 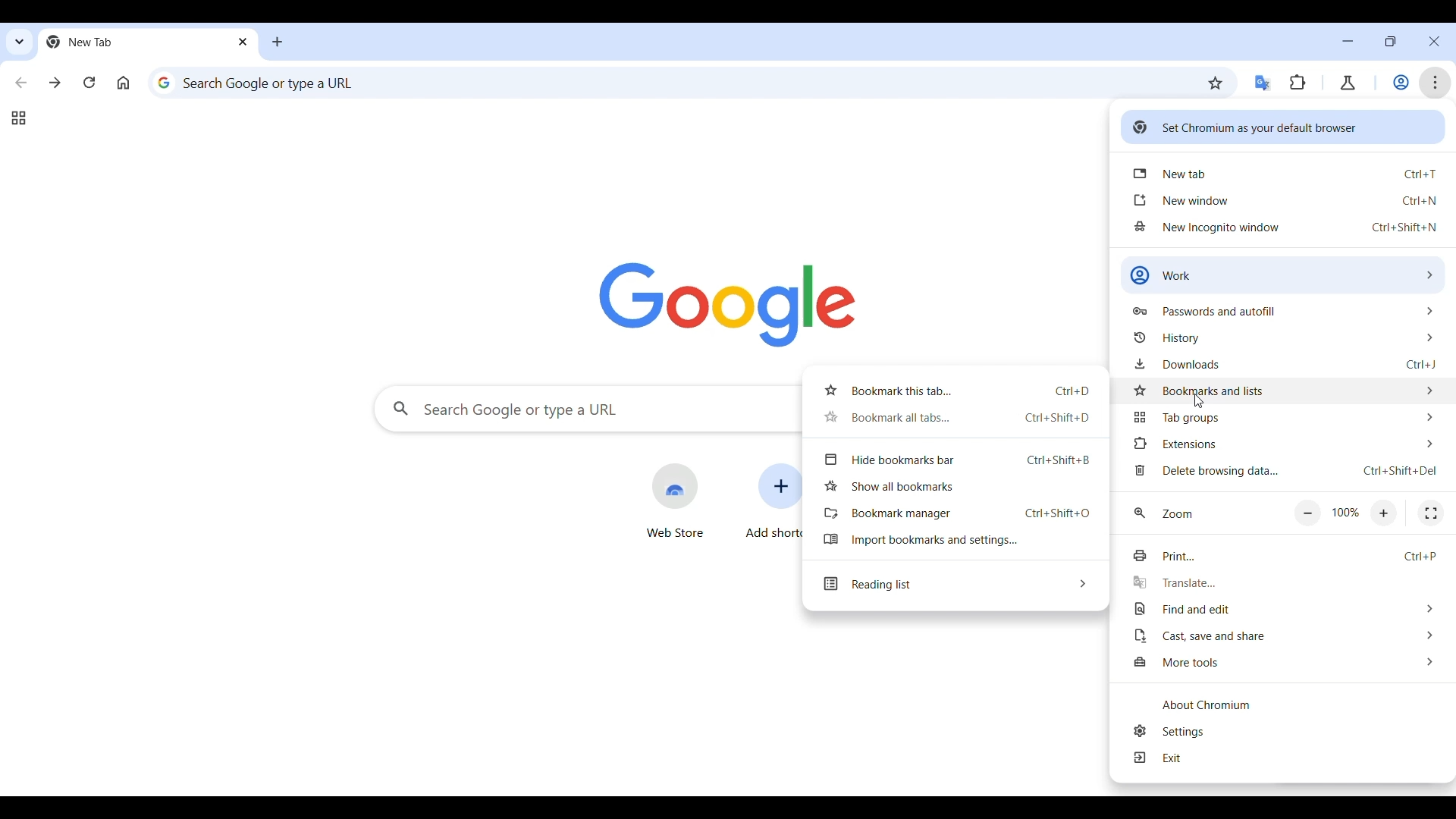 I want to click on Go forward, so click(x=55, y=82).